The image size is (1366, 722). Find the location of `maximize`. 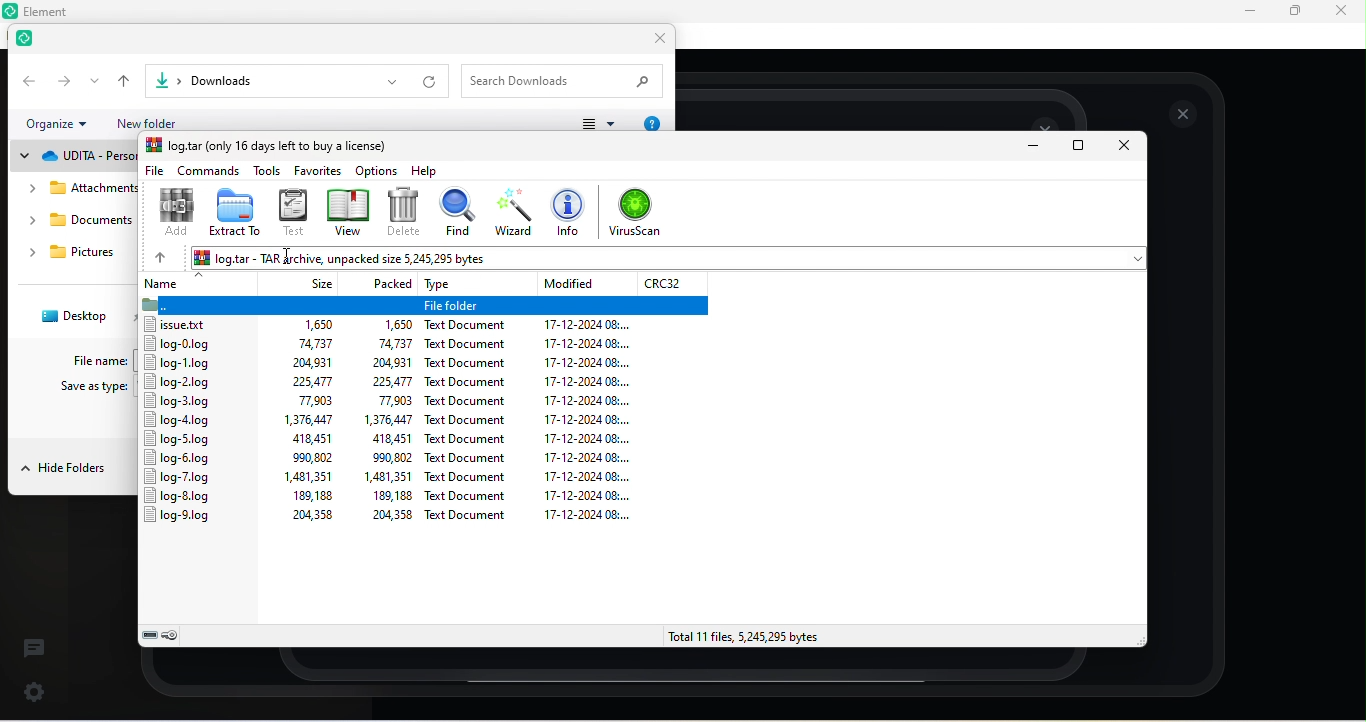

maximize is located at coordinates (1076, 149).